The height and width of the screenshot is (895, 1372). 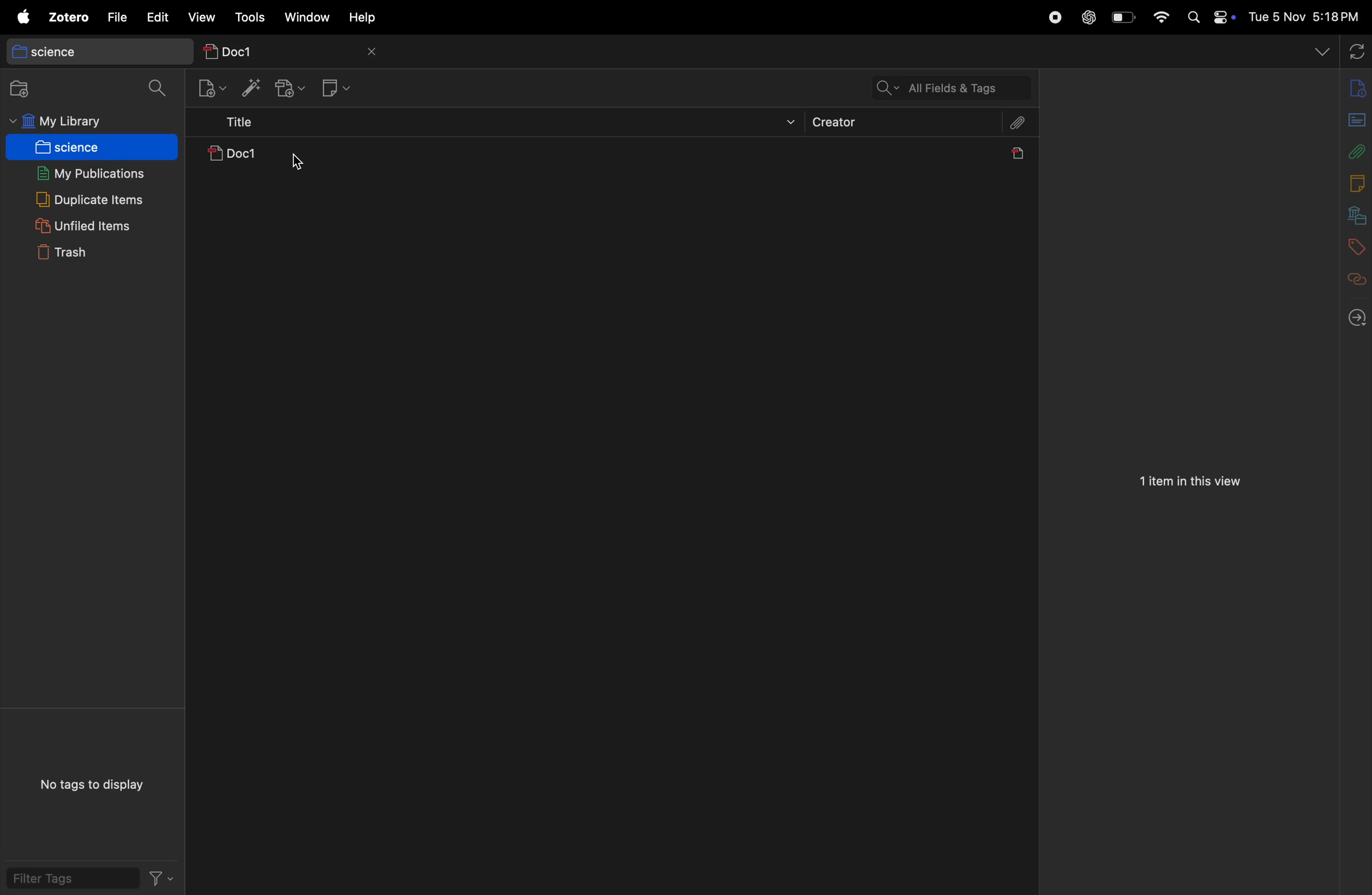 I want to click on file, so click(x=117, y=17).